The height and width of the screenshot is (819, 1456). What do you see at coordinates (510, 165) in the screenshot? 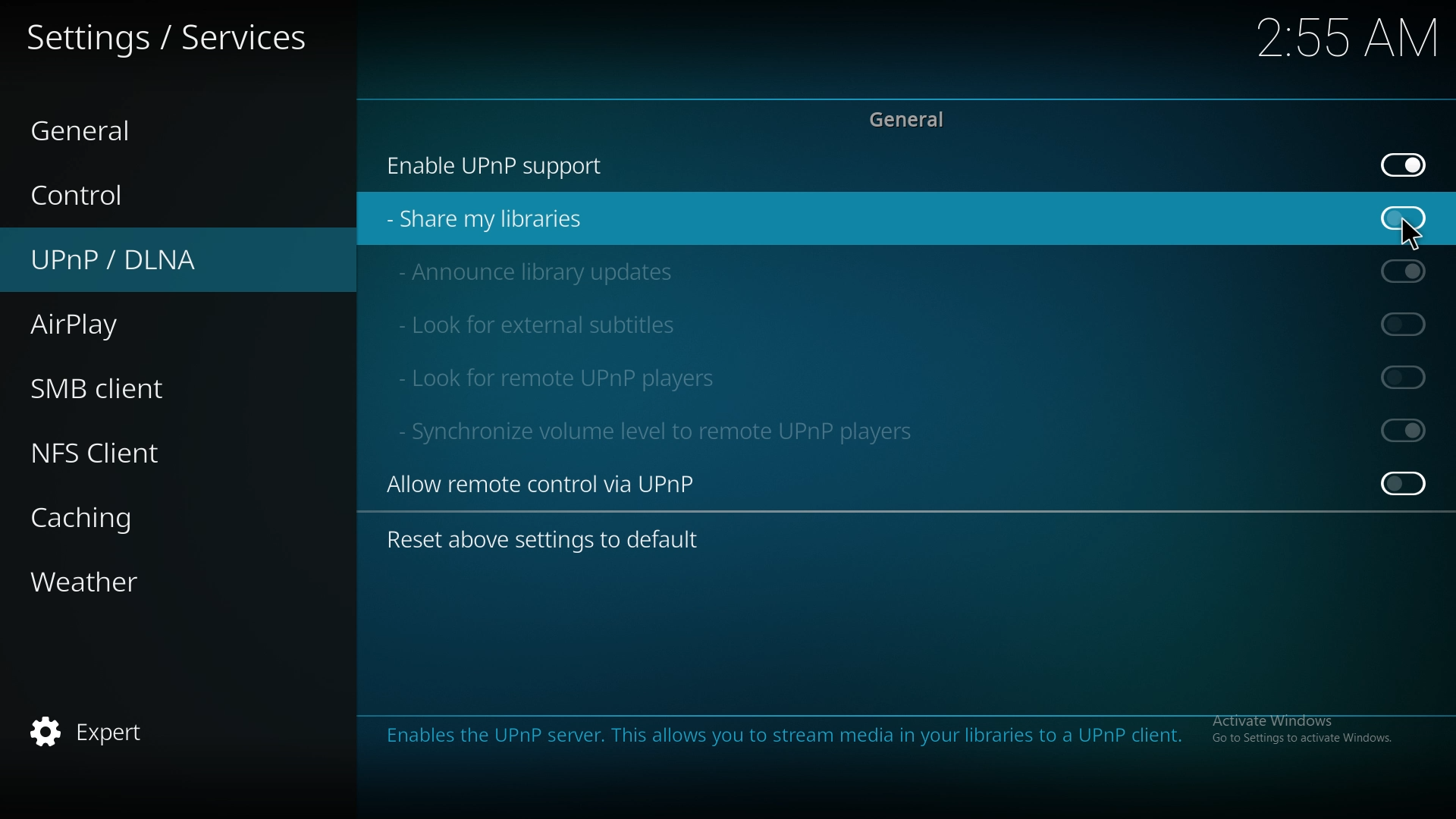
I see `enable upnp support` at bounding box center [510, 165].